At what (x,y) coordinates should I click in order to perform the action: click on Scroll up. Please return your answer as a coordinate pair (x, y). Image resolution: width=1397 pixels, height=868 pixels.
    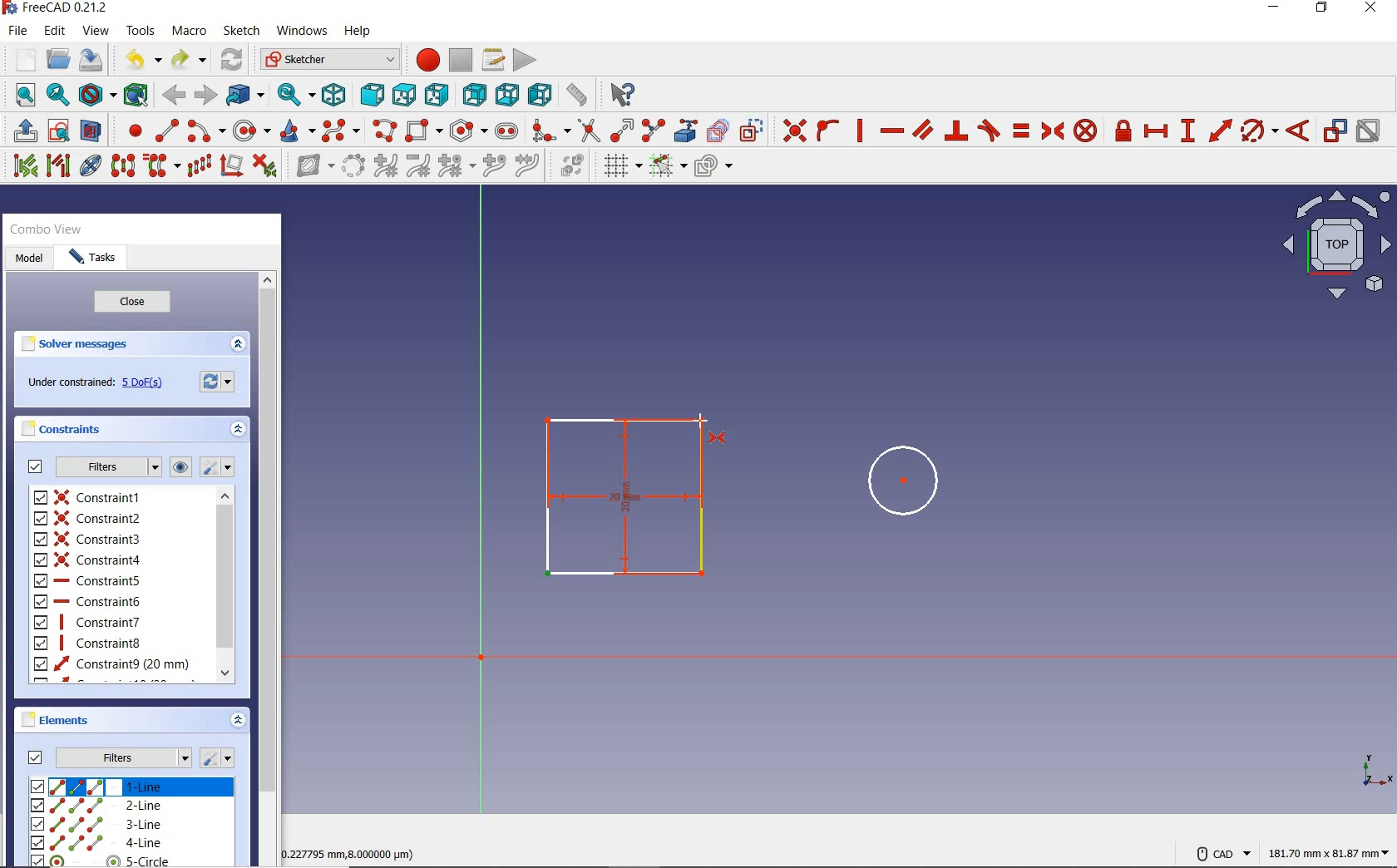
    Looking at the image, I should click on (269, 281).